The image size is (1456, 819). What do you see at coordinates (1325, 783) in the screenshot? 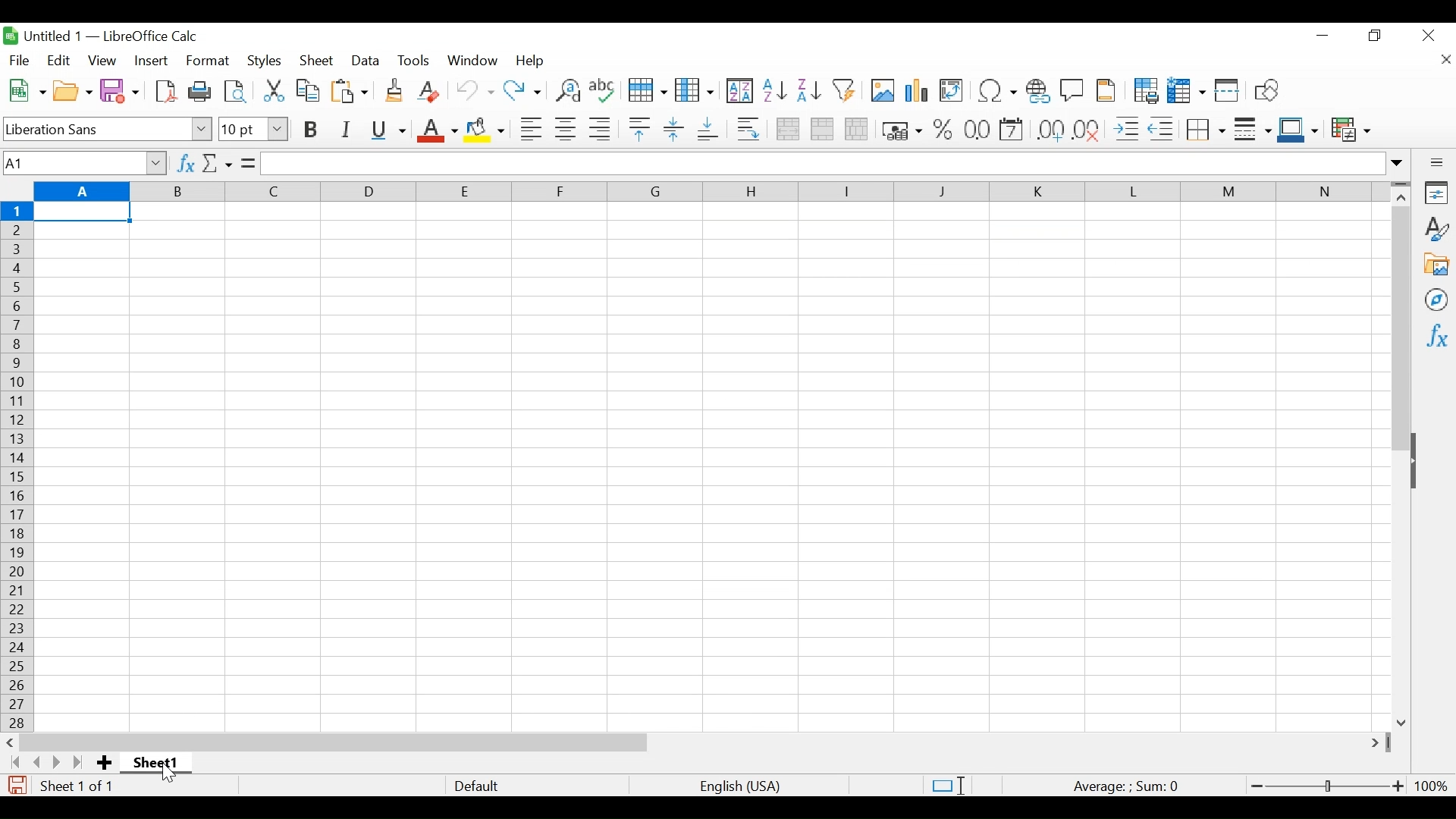
I see `Zoom Slider` at bounding box center [1325, 783].